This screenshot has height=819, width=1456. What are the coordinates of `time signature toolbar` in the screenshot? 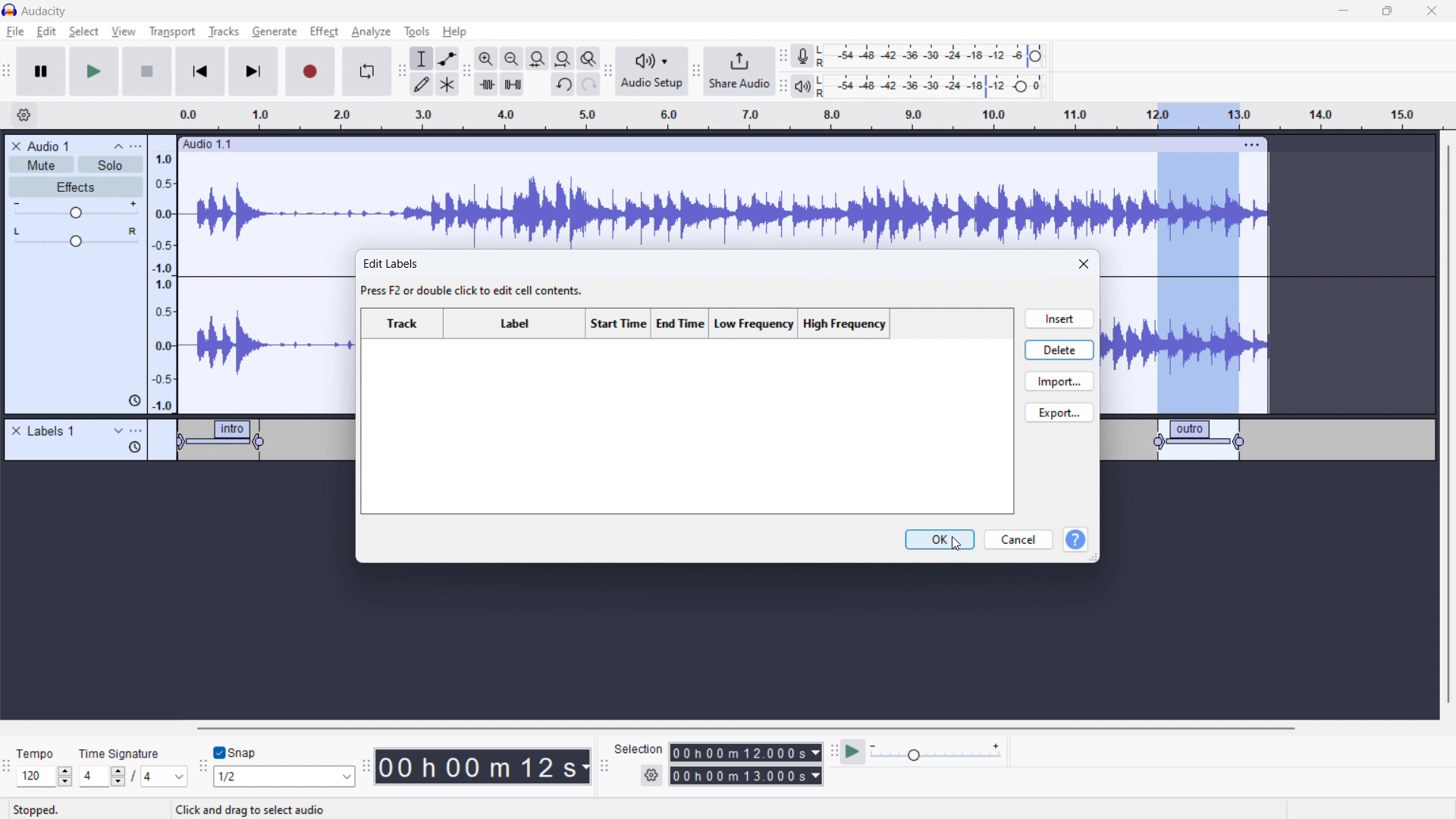 It's located at (9, 770).